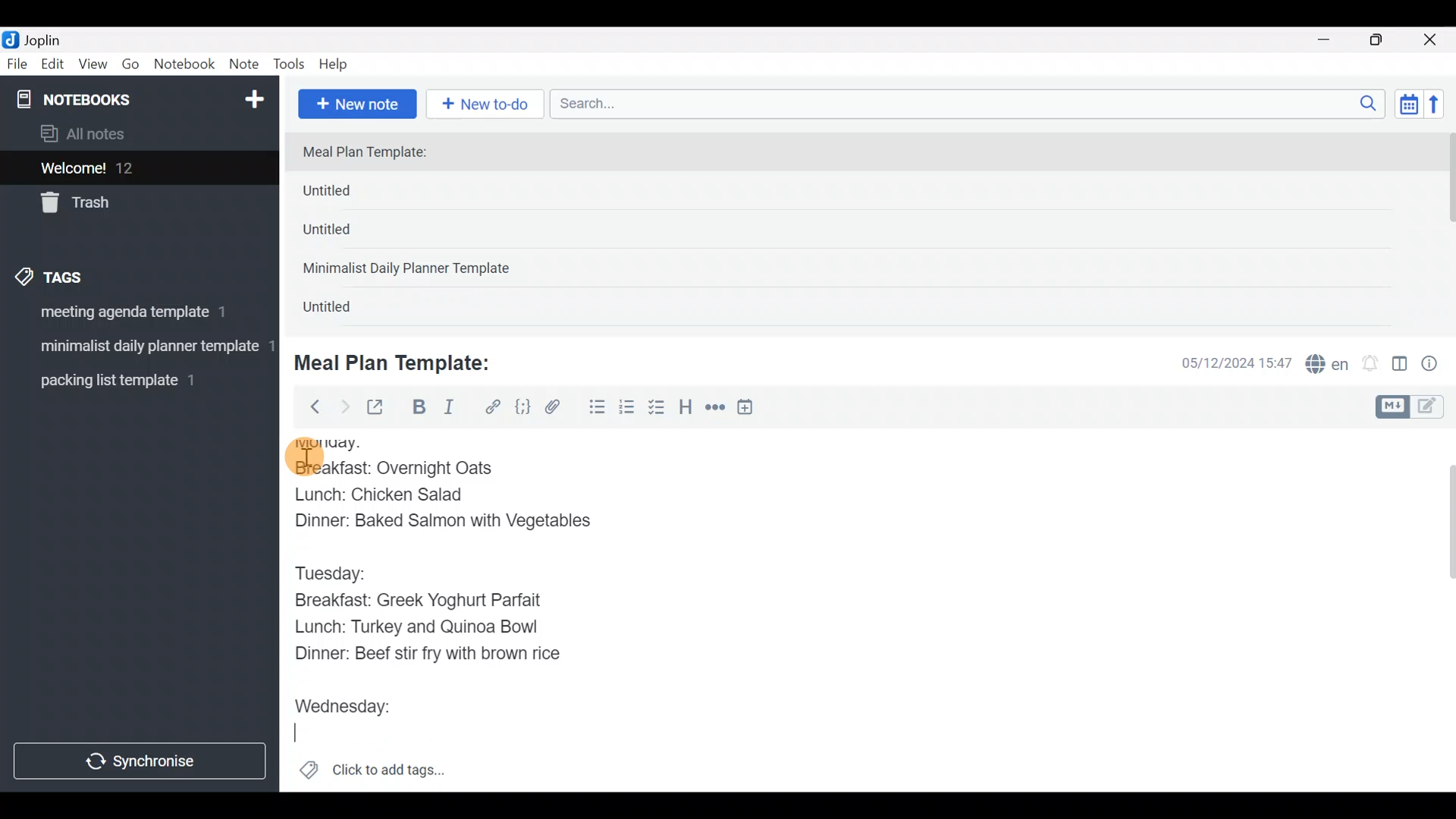 This screenshot has width=1456, height=819. What do you see at coordinates (374, 153) in the screenshot?
I see `Meal Plan Template:` at bounding box center [374, 153].